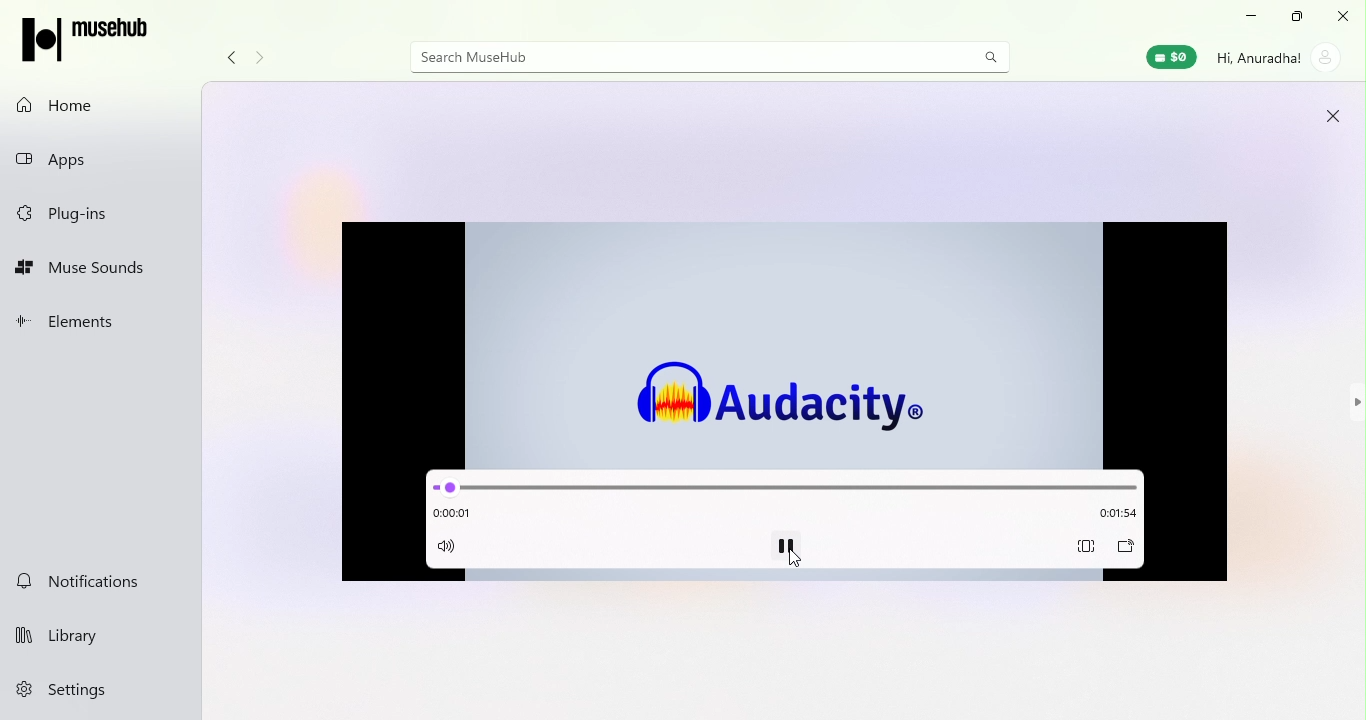 This screenshot has width=1366, height=720. I want to click on Library, so click(99, 634).